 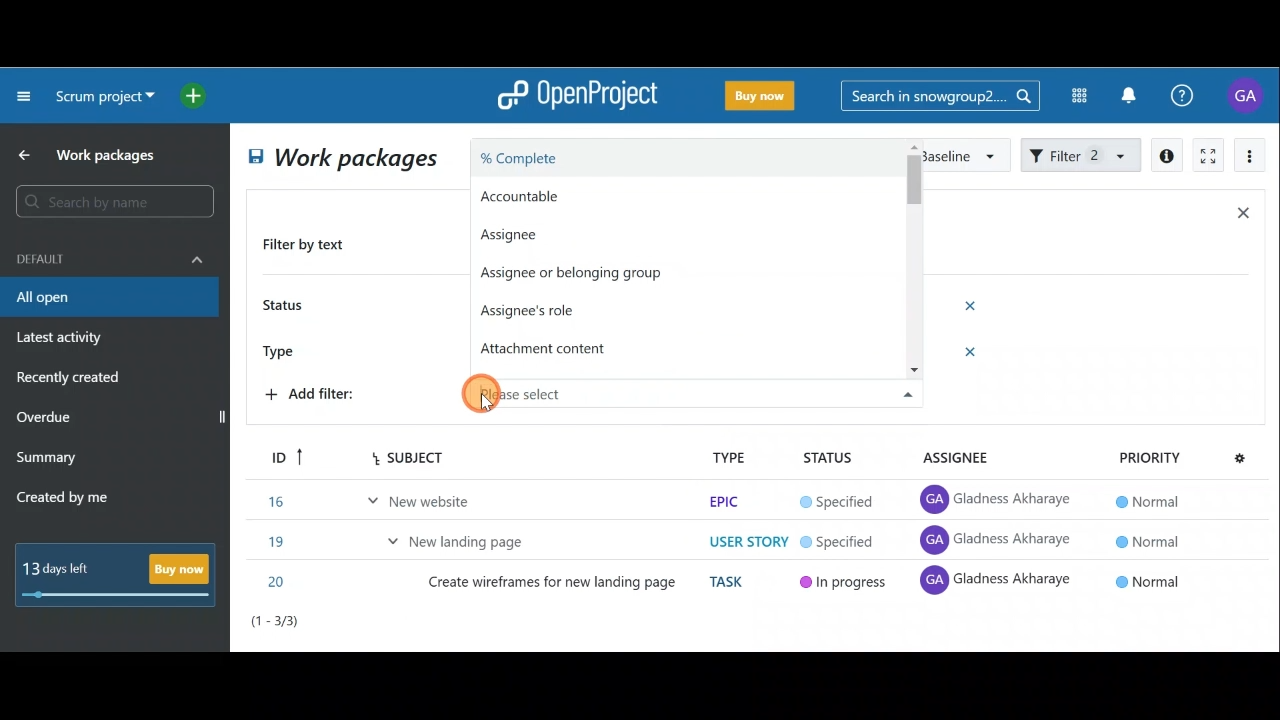 I want to click on Page number, so click(x=360, y=626).